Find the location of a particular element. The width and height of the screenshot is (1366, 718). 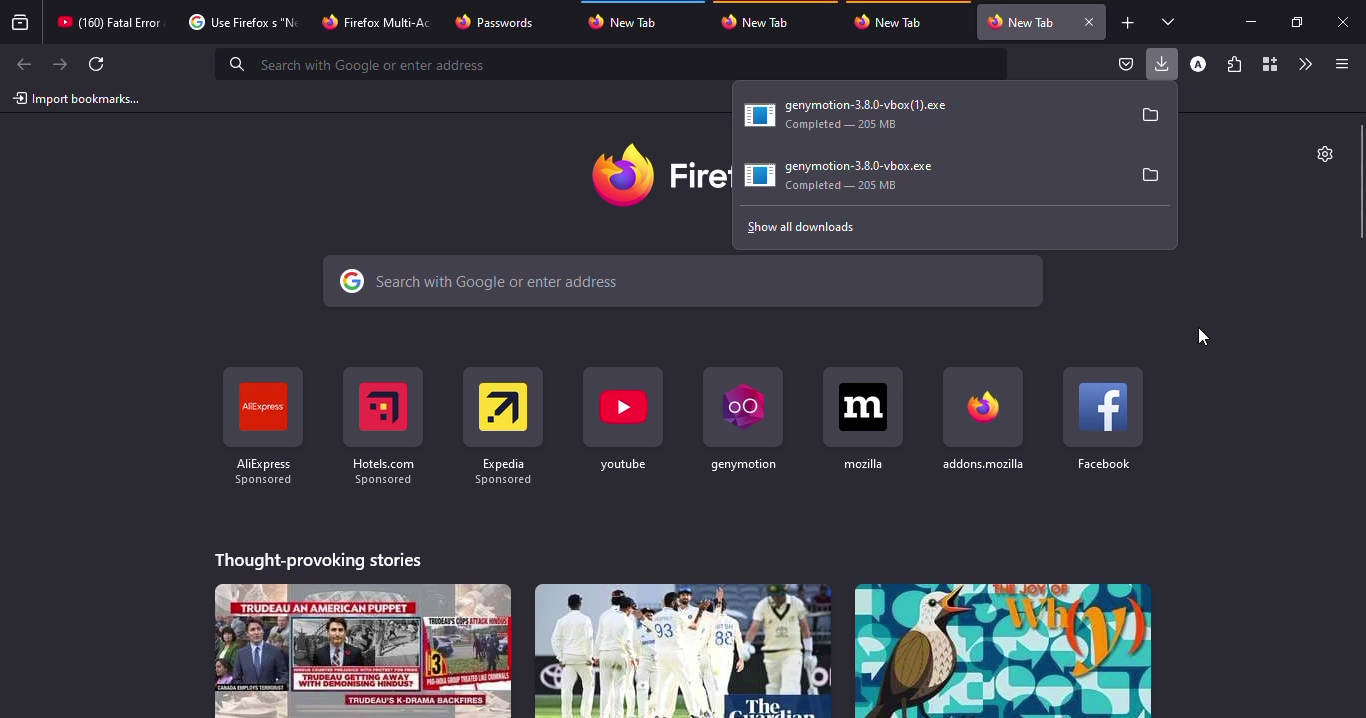

maximize is located at coordinates (1295, 22).